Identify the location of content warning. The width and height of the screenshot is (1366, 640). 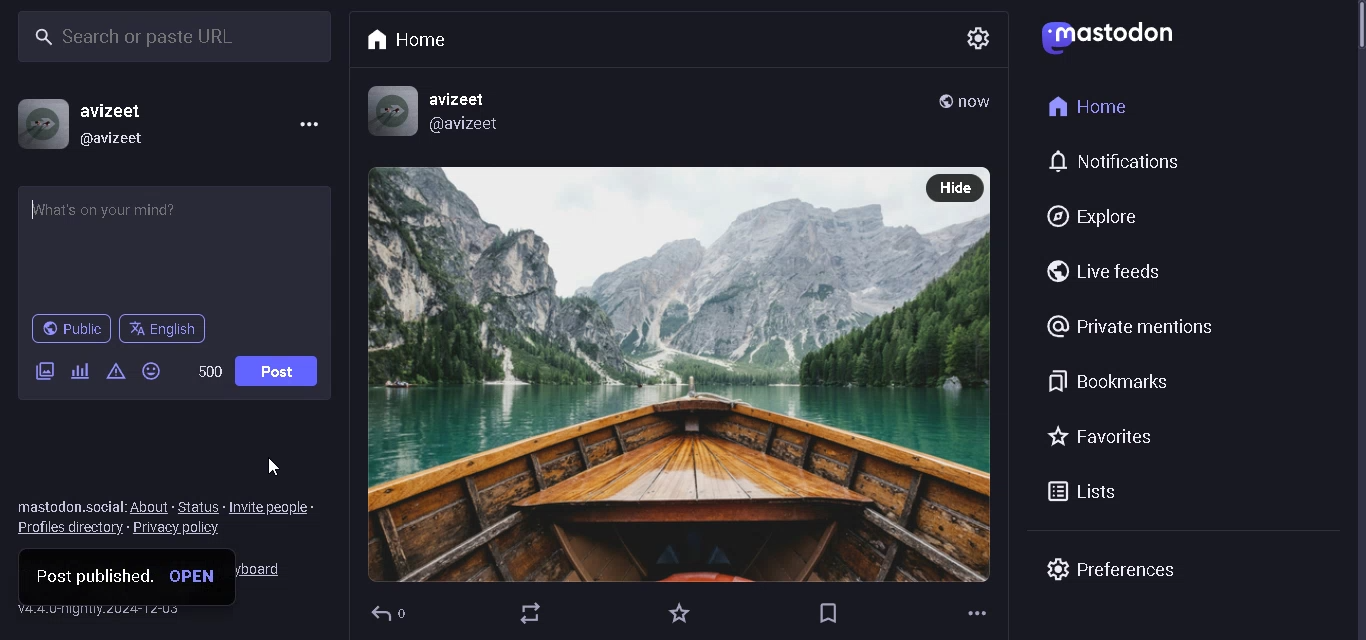
(117, 373).